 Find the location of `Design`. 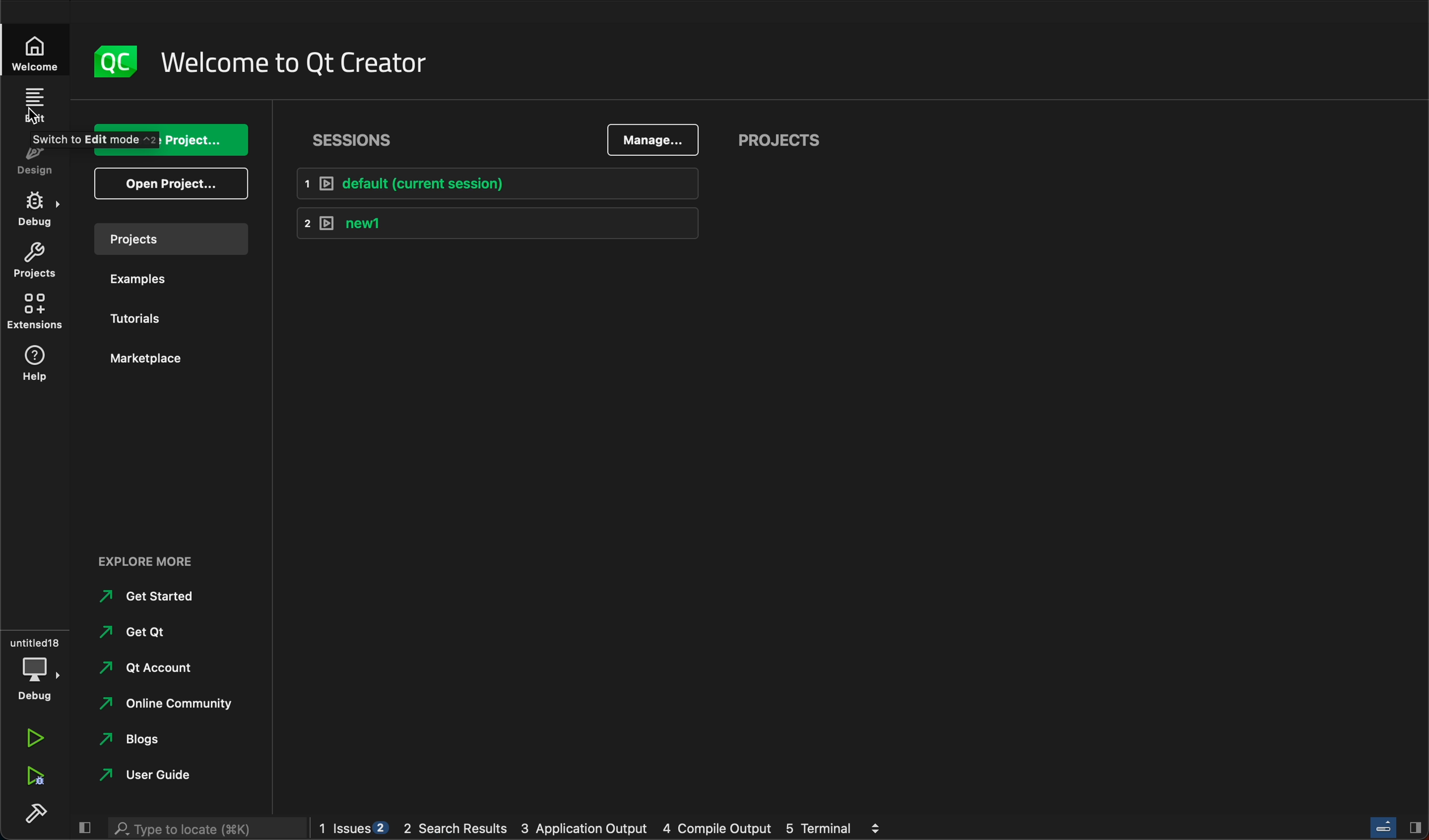

Design is located at coordinates (44, 162).